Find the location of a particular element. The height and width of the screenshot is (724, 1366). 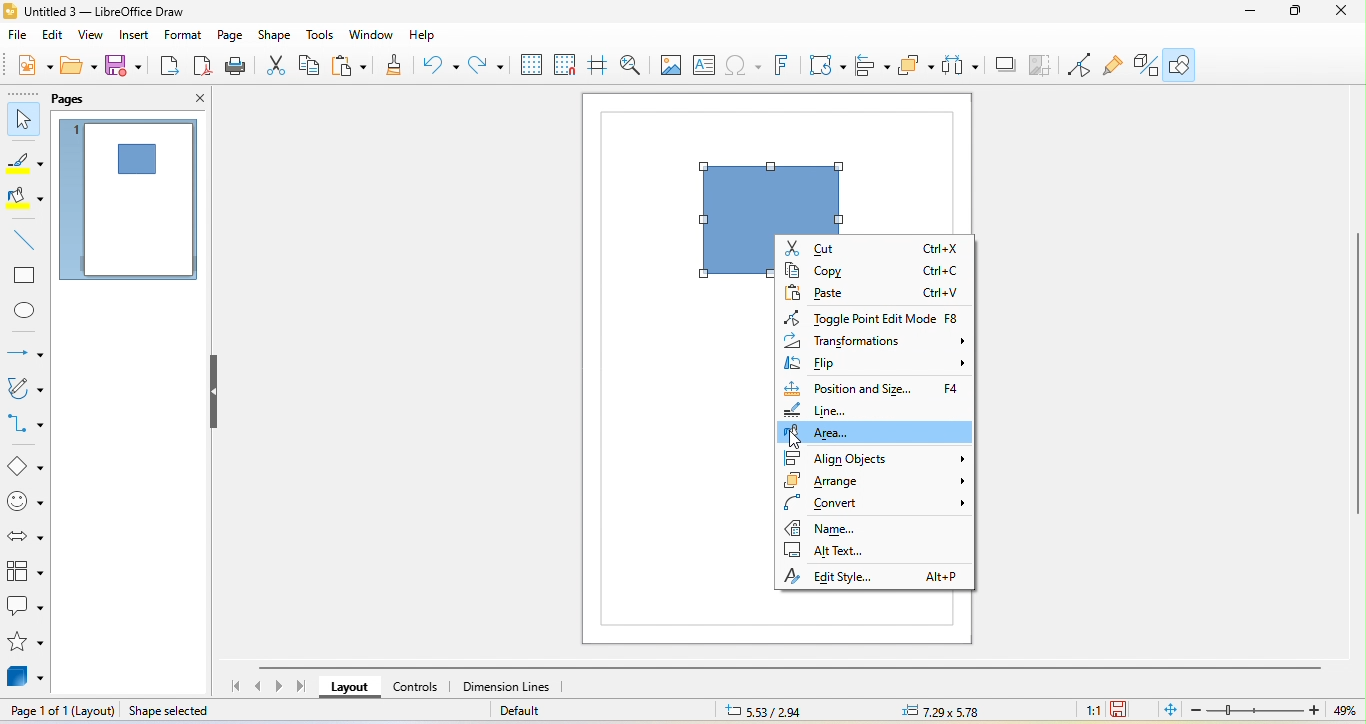

zoom is located at coordinates (1275, 712).